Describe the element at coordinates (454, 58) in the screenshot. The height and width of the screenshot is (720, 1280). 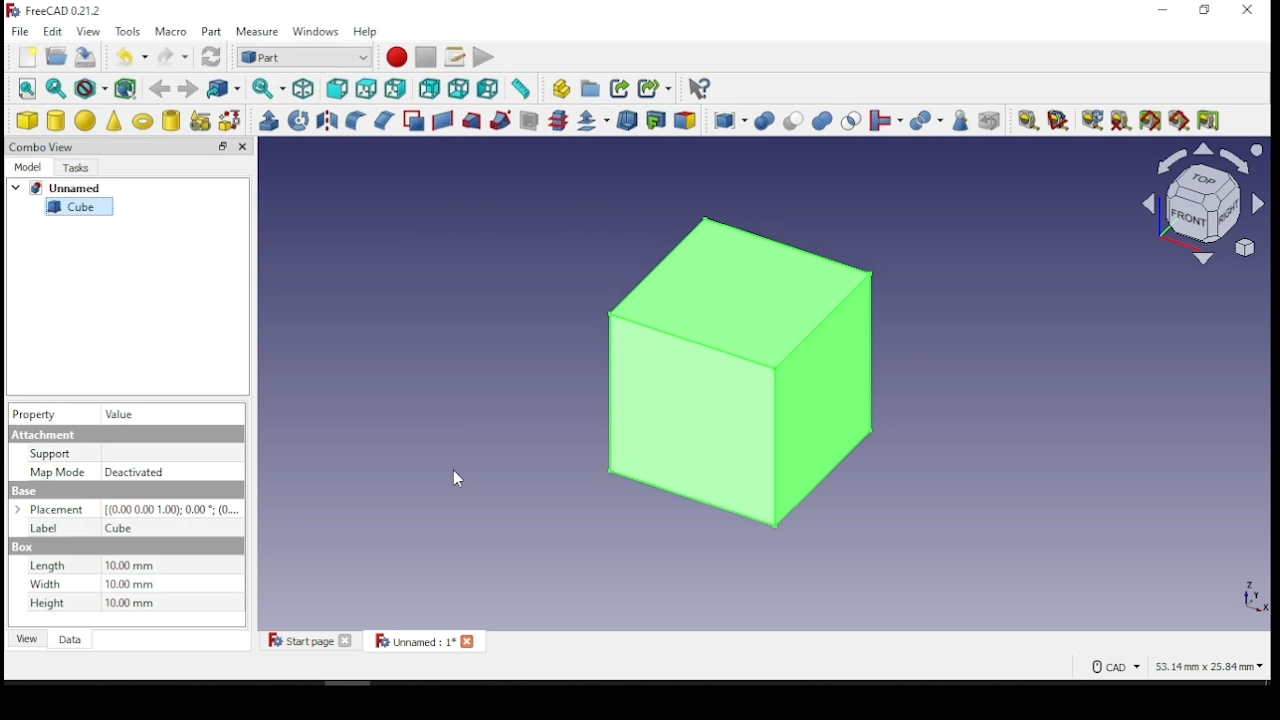
I see `macros` at that location.